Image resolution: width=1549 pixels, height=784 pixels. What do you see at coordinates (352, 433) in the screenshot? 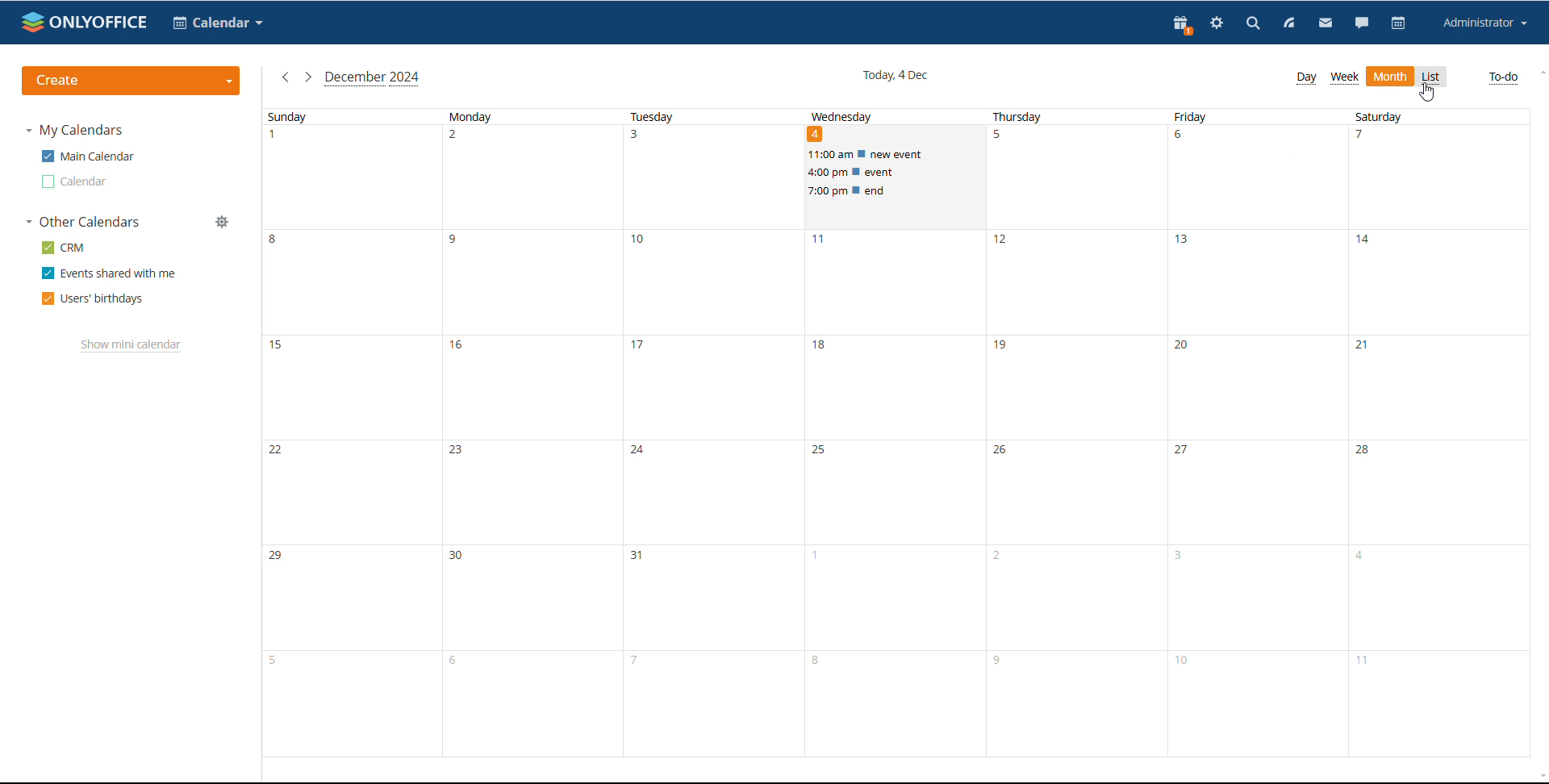
I see `sunday` at bounding box center [352, 433].